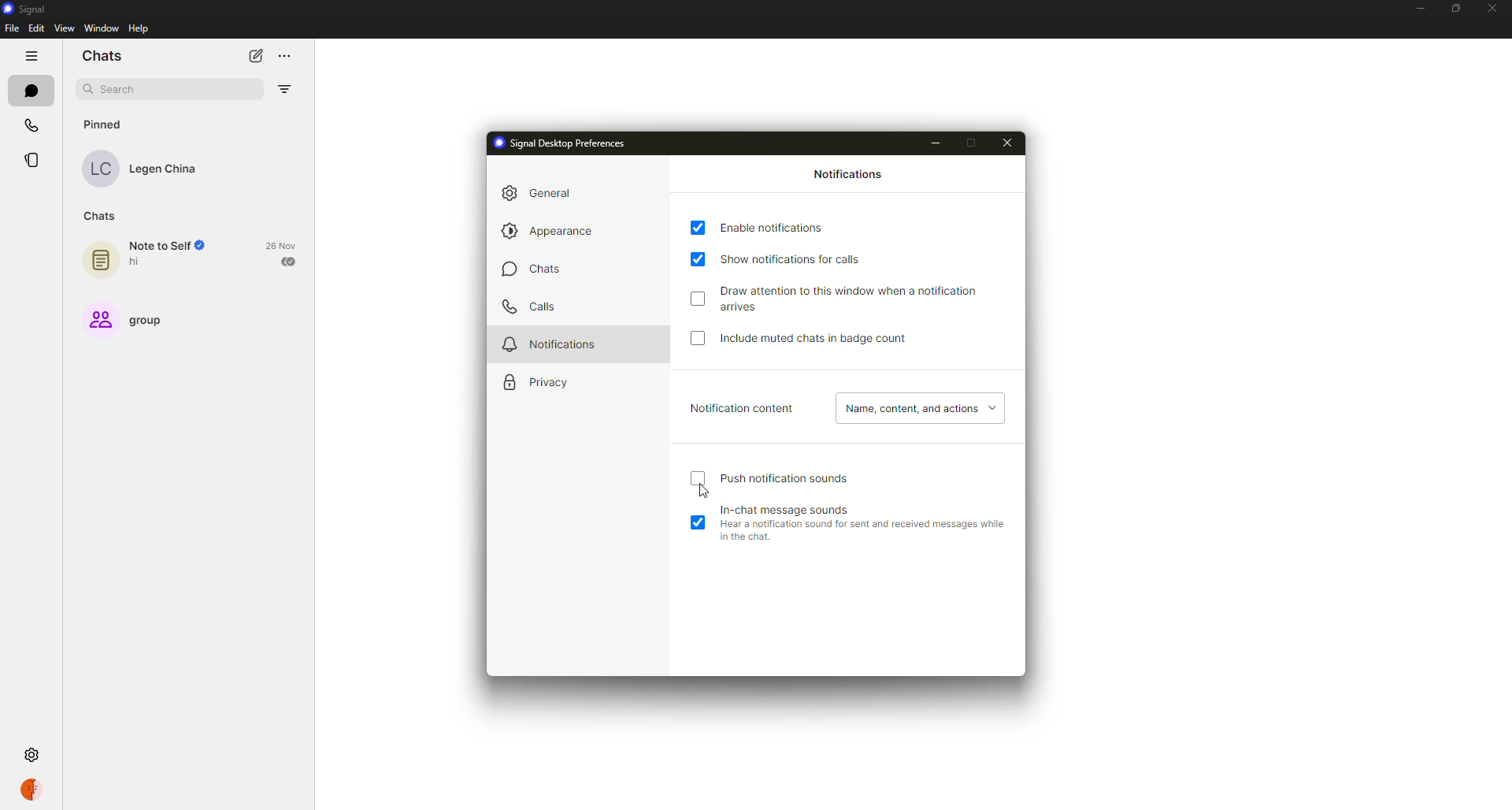 The height and width of the screenshot is (810, 1512). Describe the element at coordinates (532, 306) in the screenshot. I see `calls` at that location.